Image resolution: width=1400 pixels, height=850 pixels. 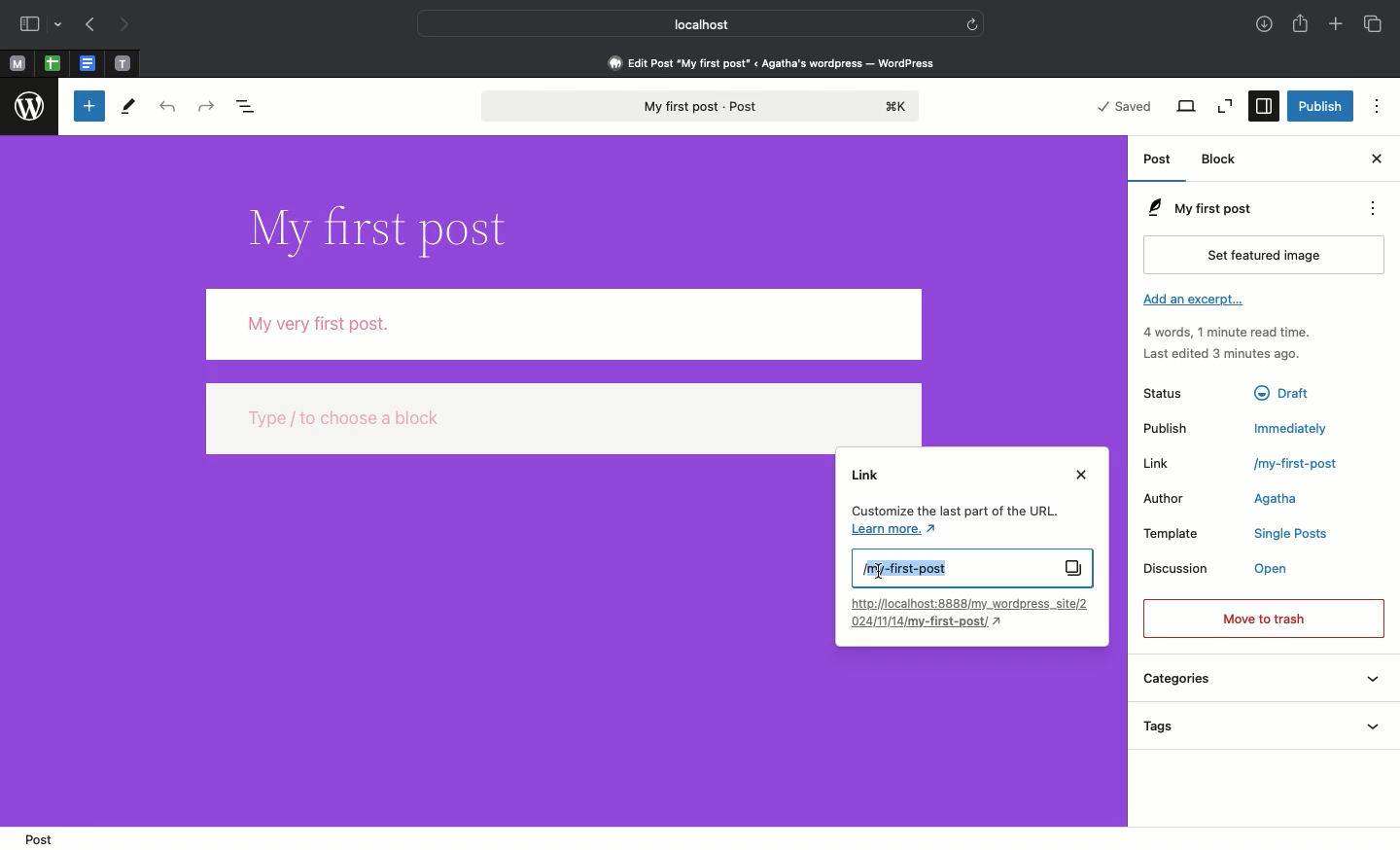 What do you see at coordinates (565, 324) in the screenshot?
I see `Body` at bounding box center [565, 324].